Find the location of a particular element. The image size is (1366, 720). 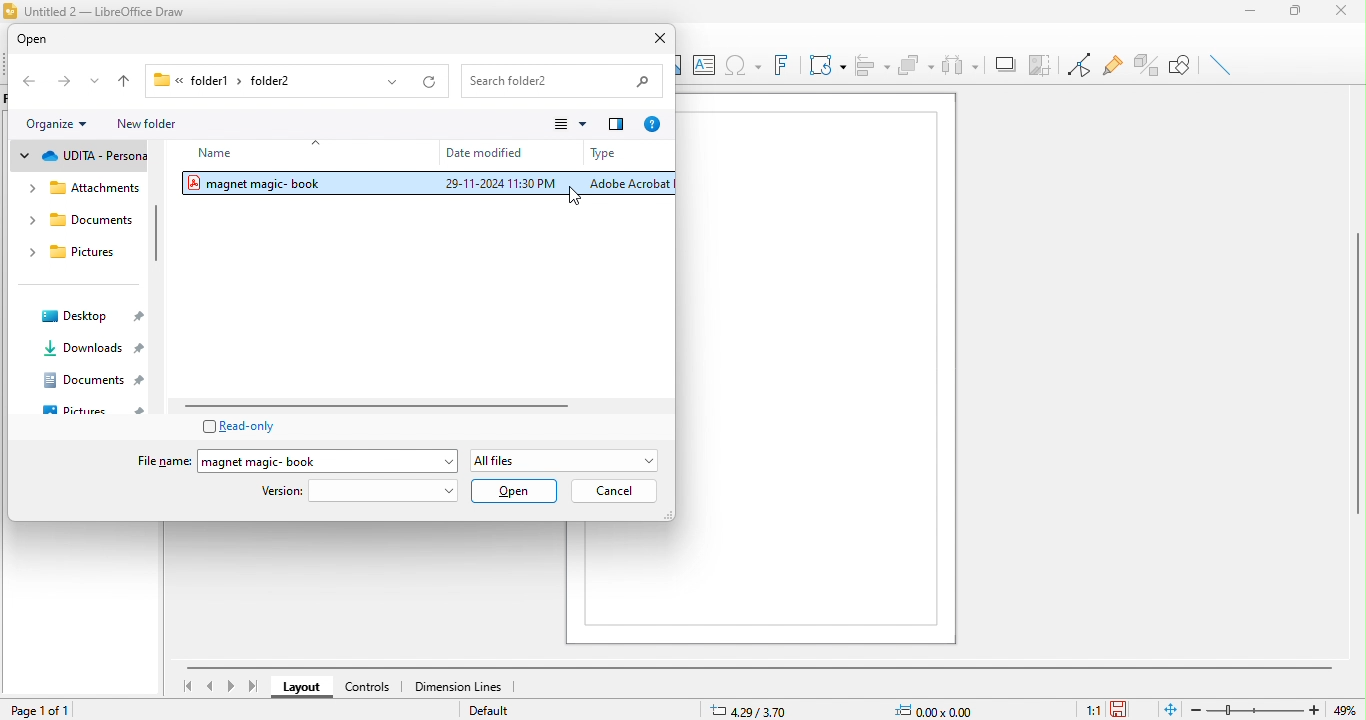

organize is located at coordinates (55, 125).